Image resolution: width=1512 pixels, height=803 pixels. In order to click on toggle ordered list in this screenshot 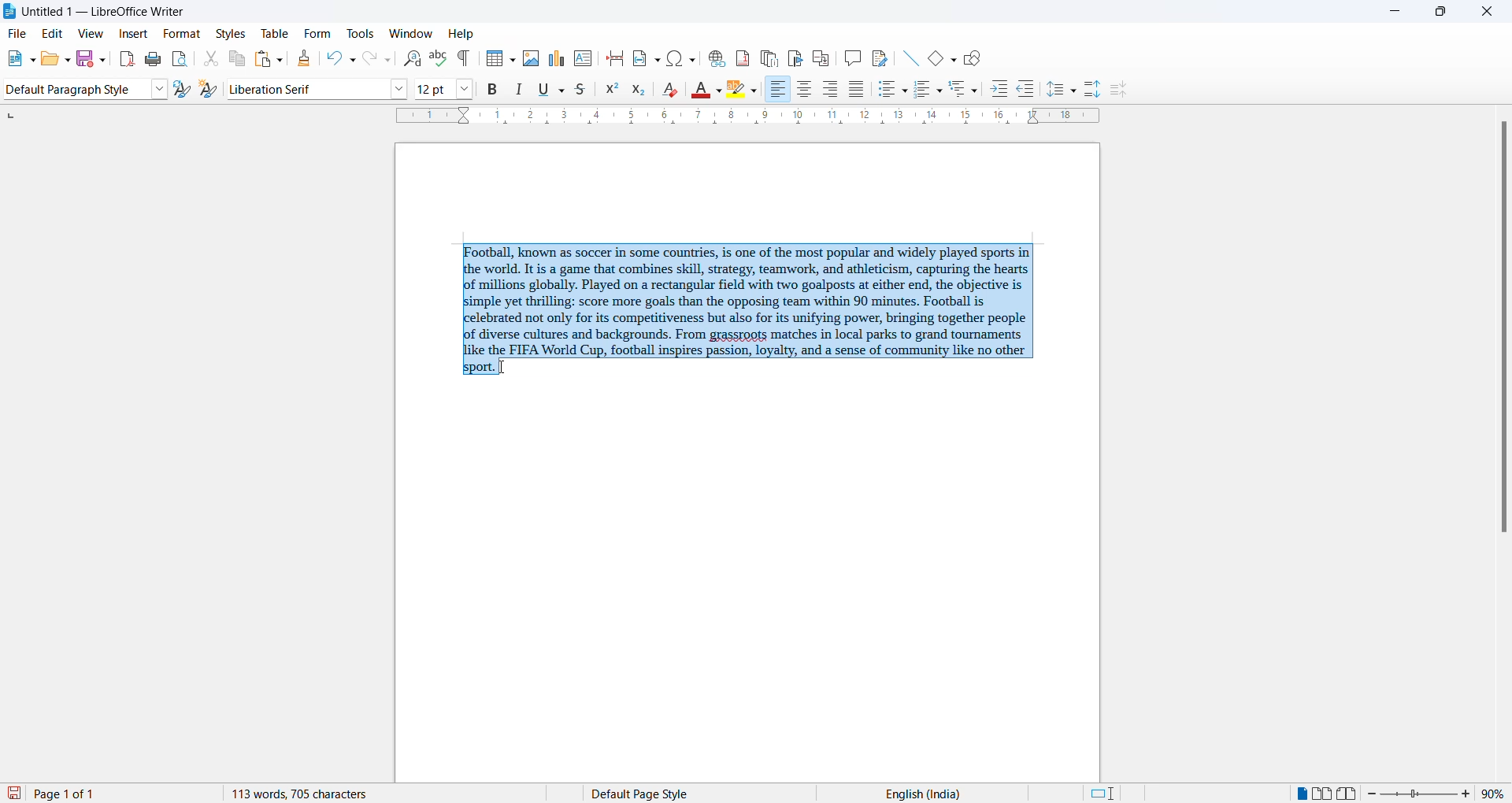, I will do `click(923, 90)`.